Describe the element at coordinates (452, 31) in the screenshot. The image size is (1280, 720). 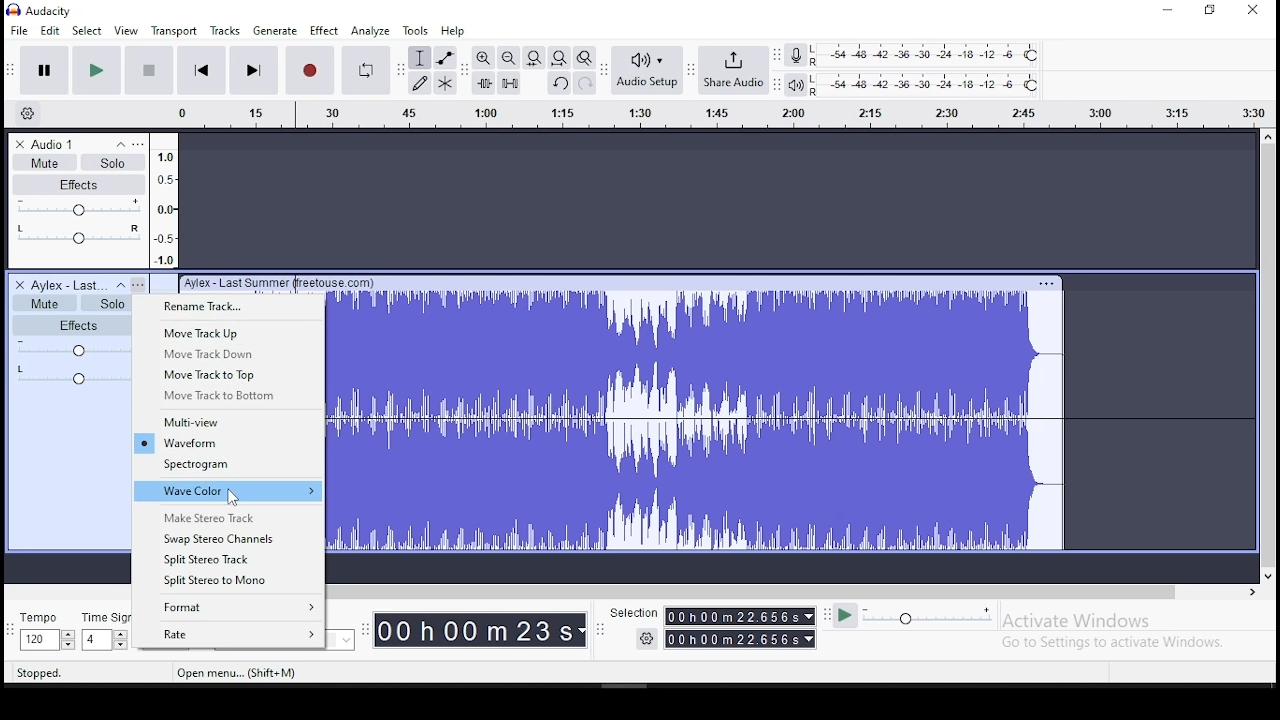
I see `help` at that location.